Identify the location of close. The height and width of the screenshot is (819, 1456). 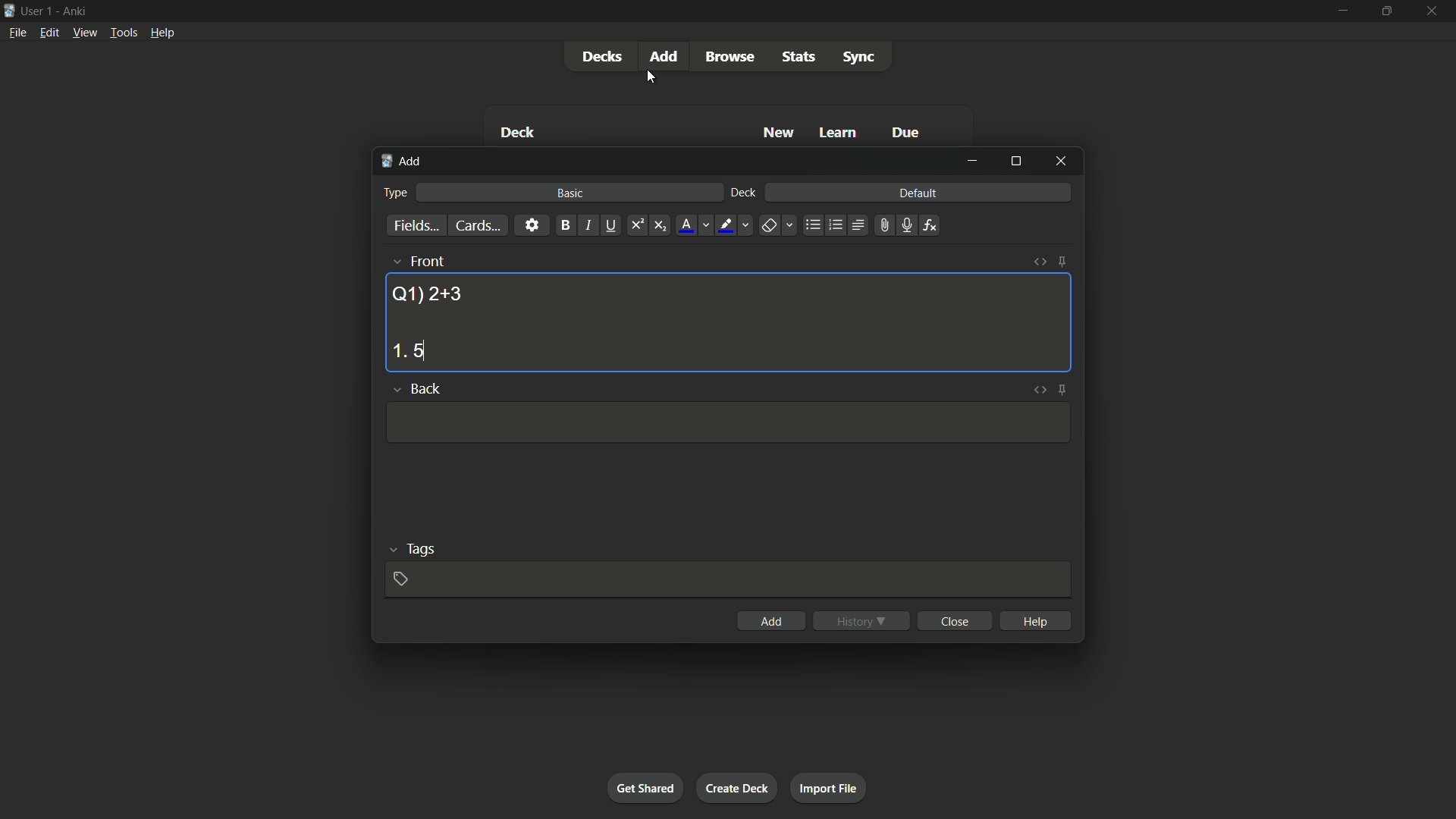
(957, 620).